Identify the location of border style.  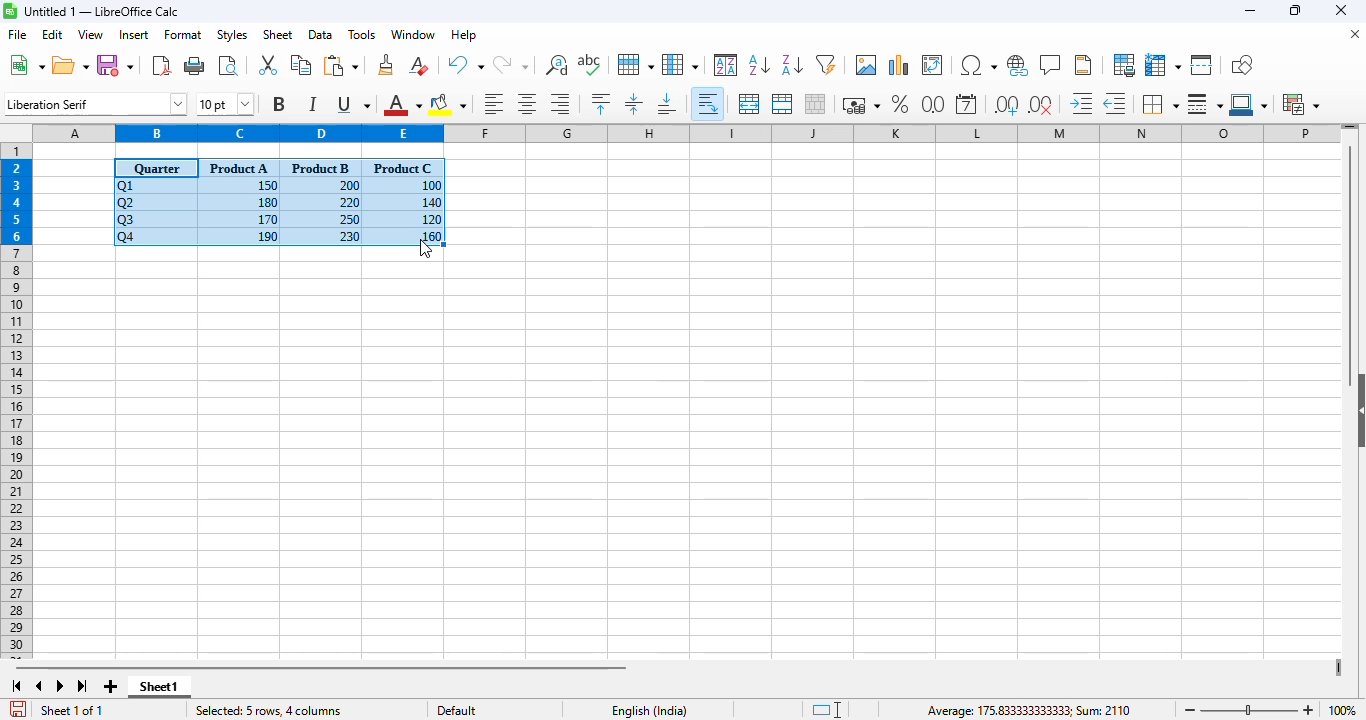
(1205, 104).